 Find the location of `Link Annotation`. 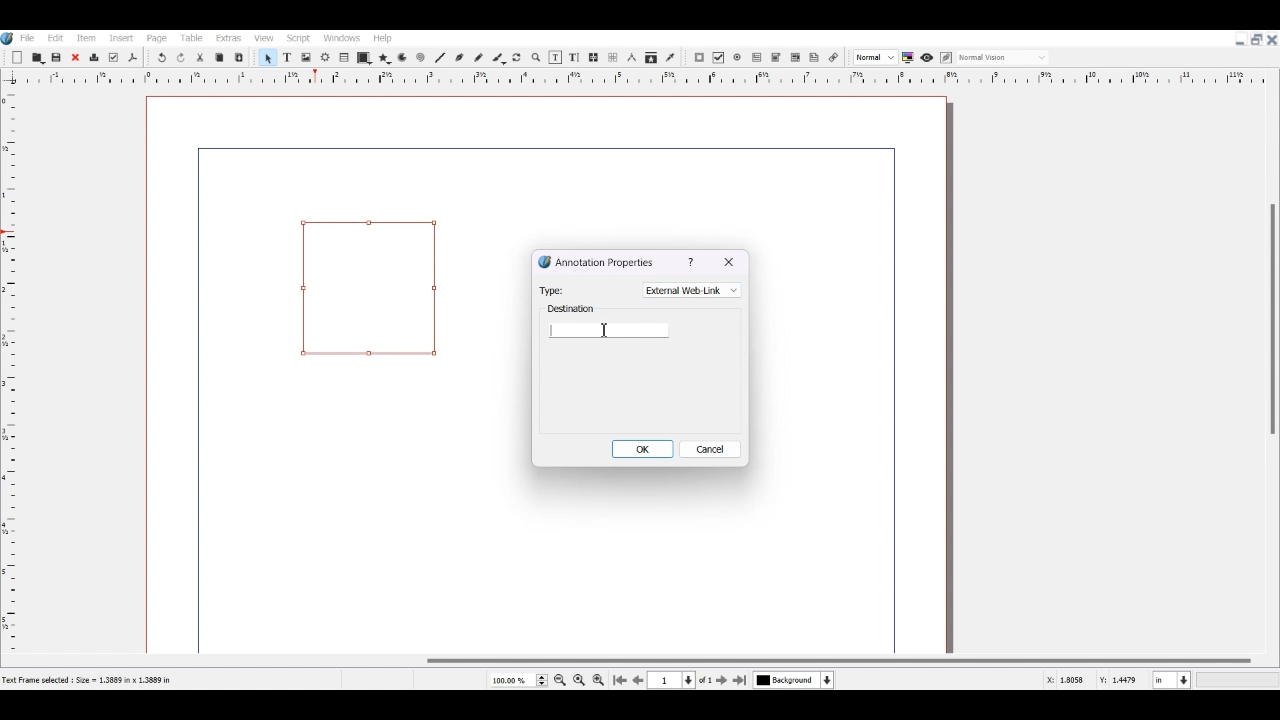

Link Annotation is located at coordinates (833, 56).